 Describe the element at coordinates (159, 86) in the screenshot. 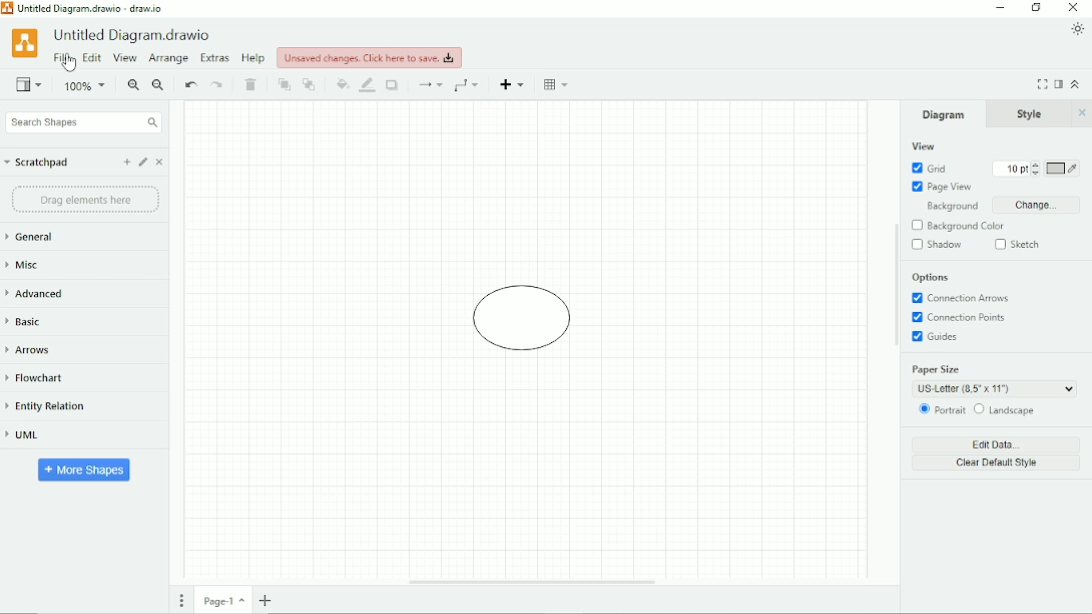

I see `Zoom Out` at that location.